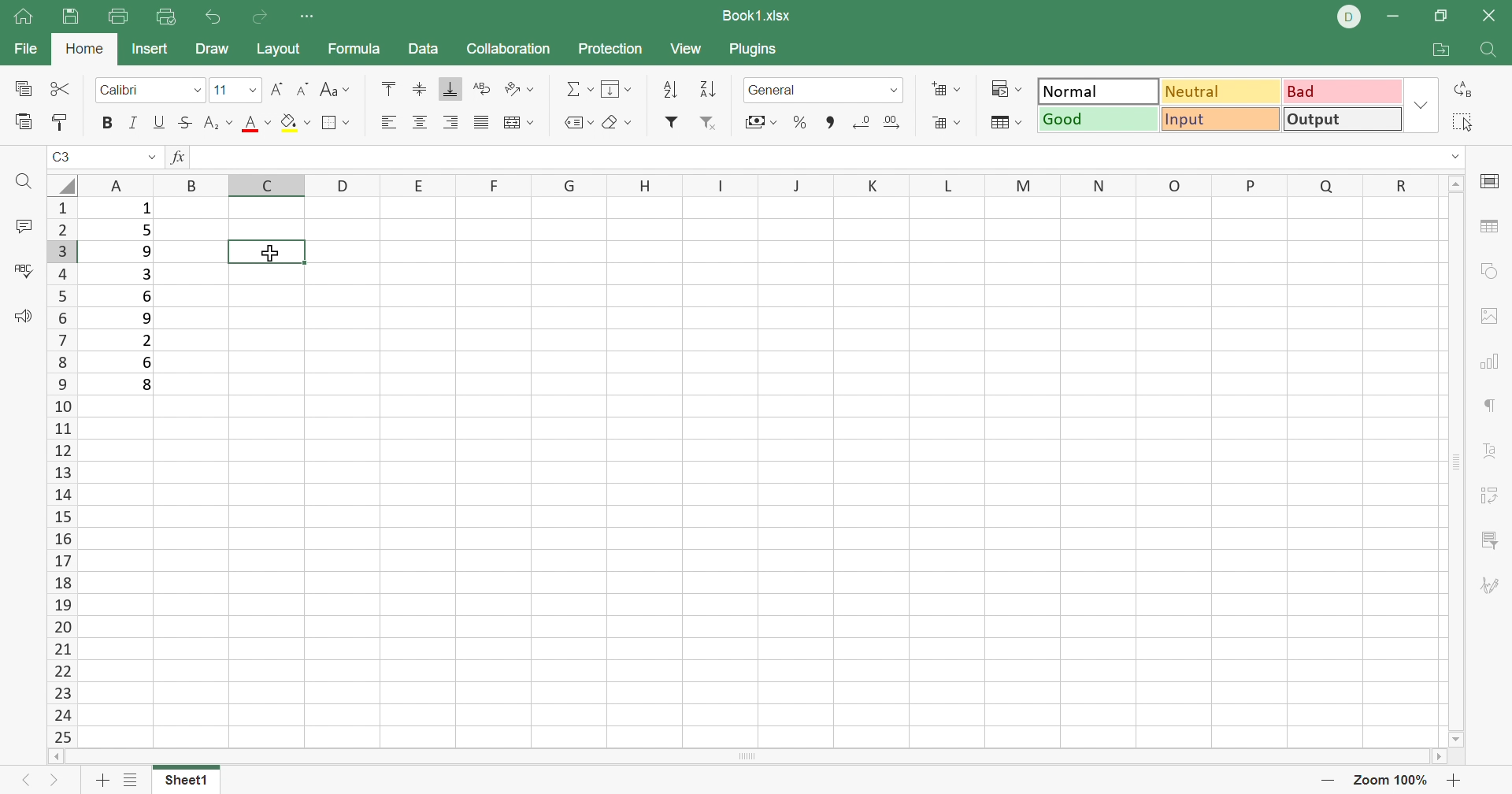  Describe the element at coordinates (147, 49) in the screenshot. I see `Insert` at that location.